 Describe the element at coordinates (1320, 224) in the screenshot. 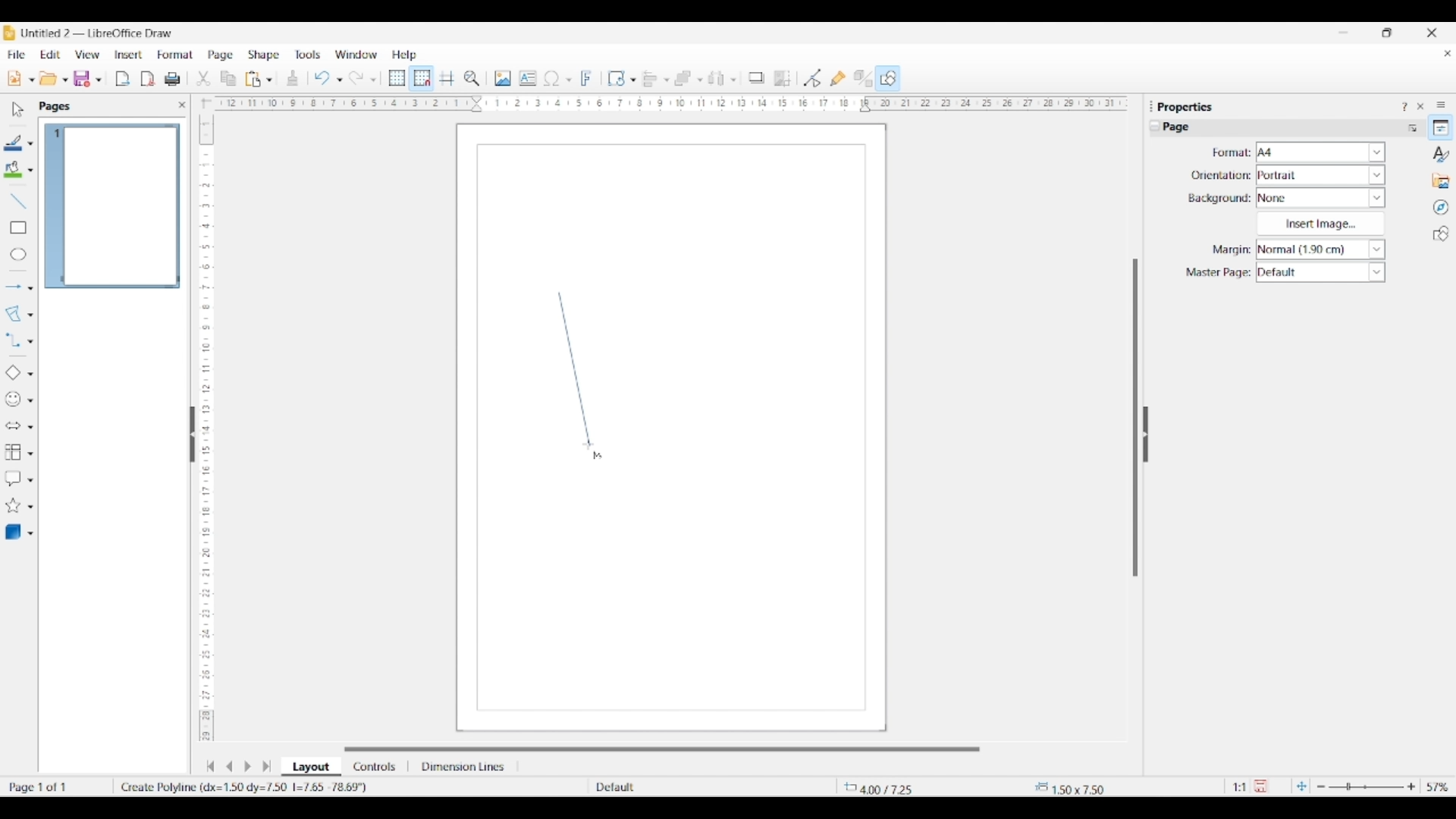

I see `Insert image` at that location.